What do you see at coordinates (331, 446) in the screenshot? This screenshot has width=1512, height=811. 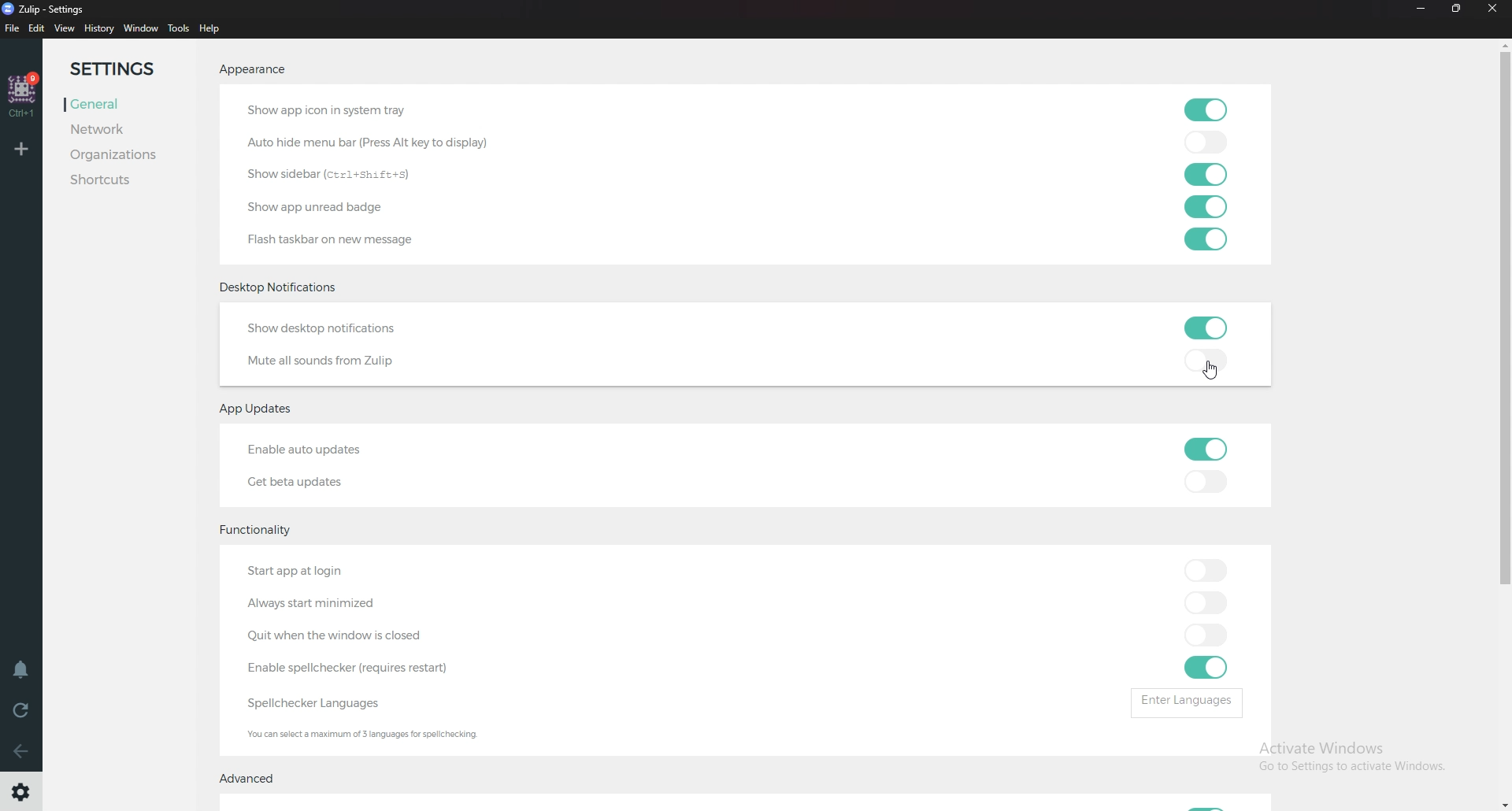 I see `enable auto updates` at bounding box center [331, 446].